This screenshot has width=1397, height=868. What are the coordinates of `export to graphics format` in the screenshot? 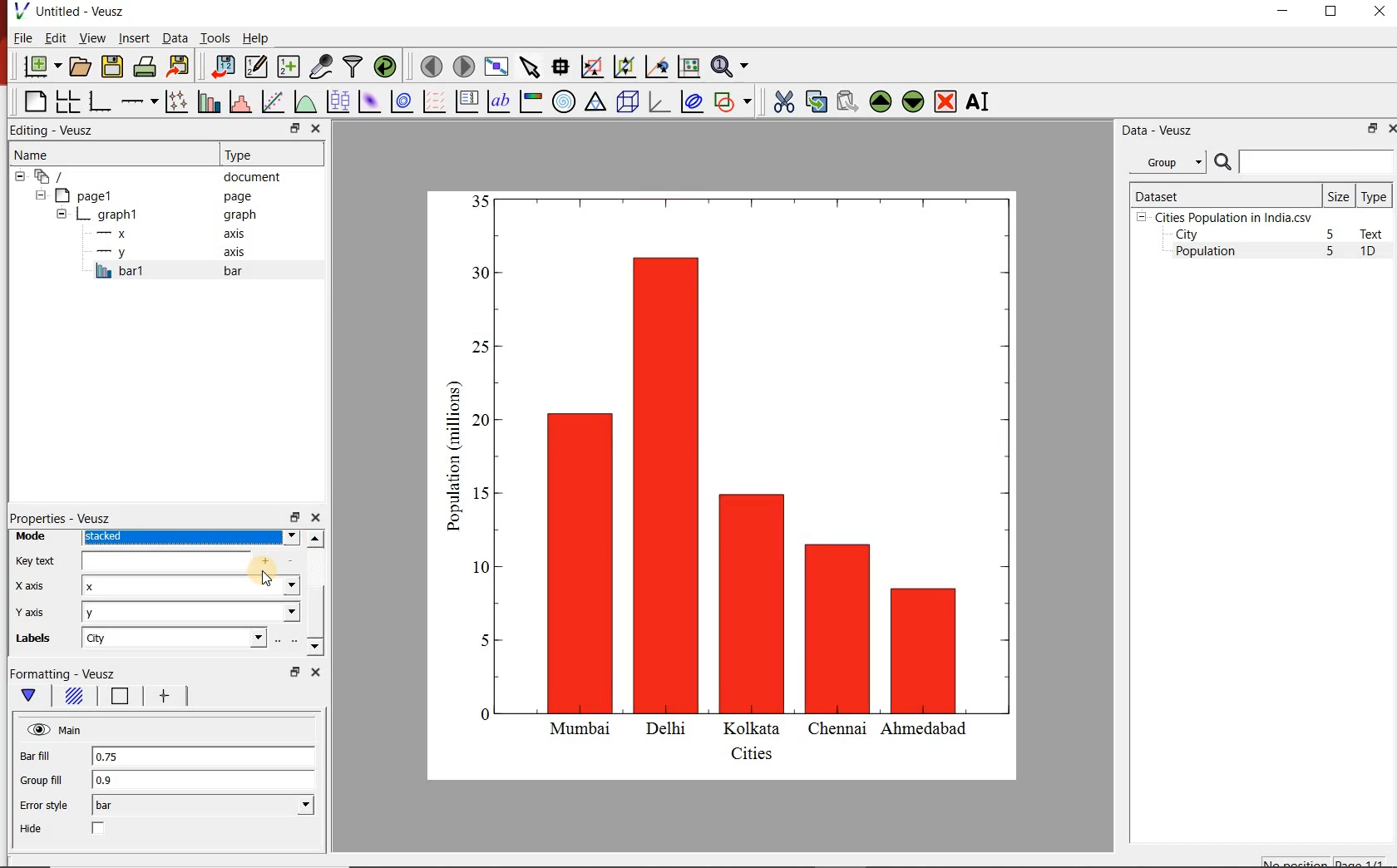 It's located at (179, 67).